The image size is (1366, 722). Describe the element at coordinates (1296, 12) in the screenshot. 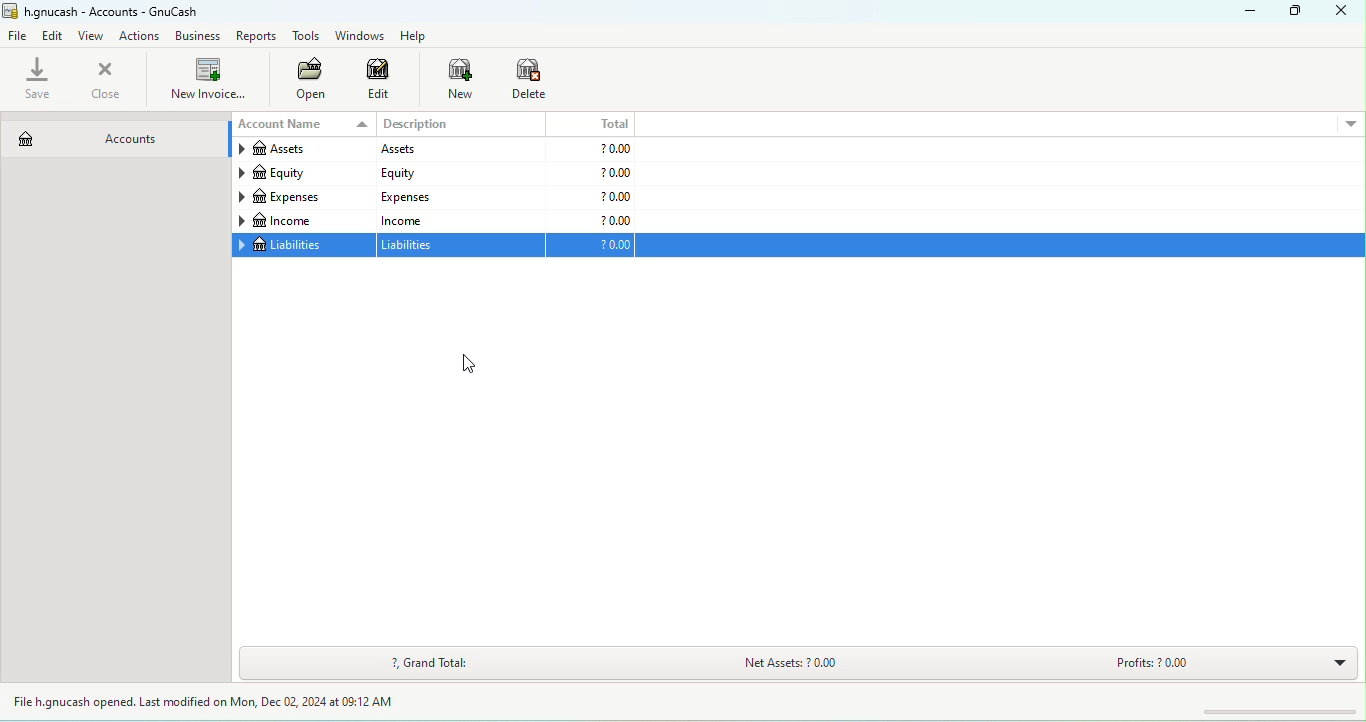

I see `maximize` at that location.